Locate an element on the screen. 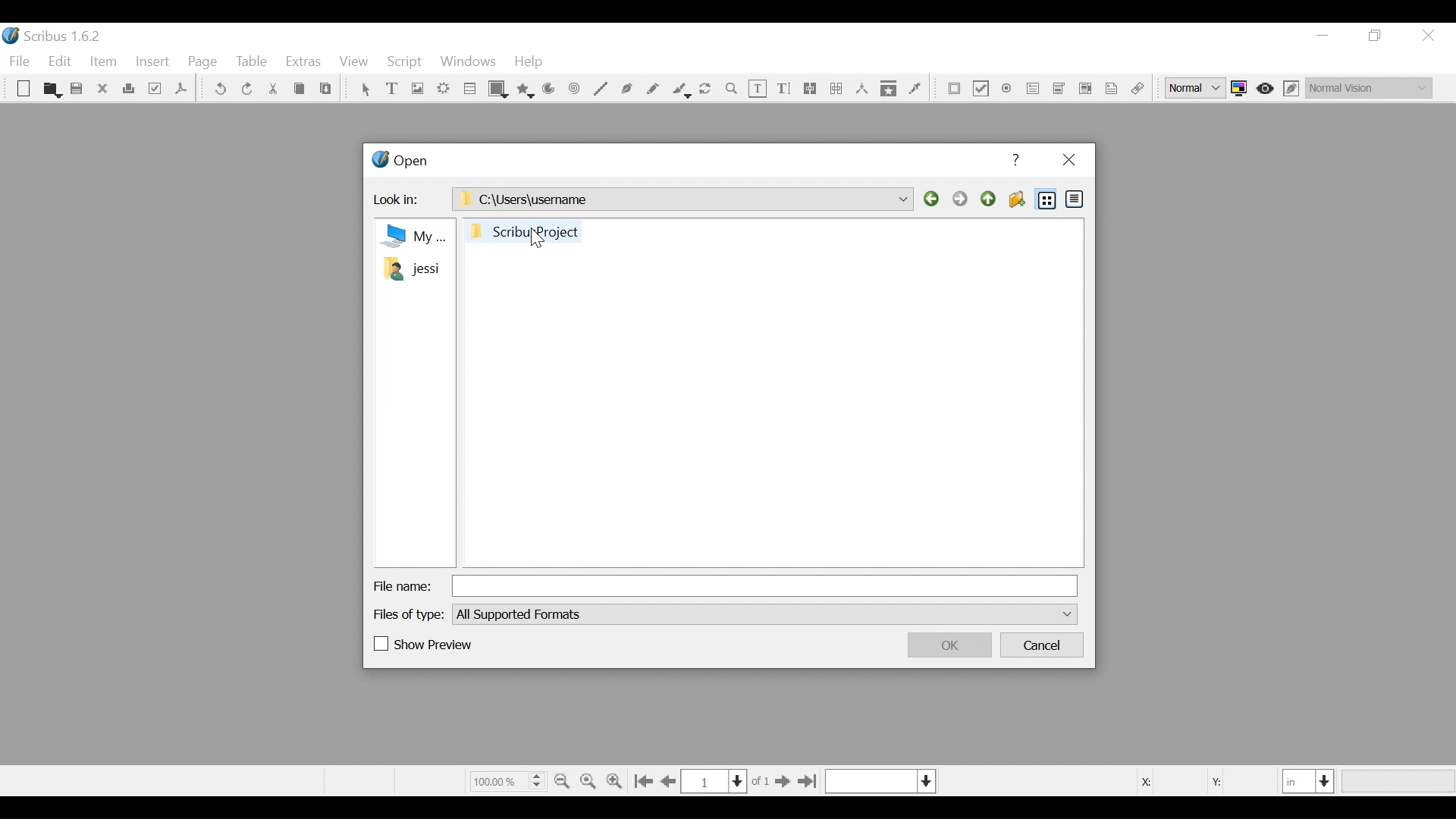 The height and width of the screenshot is (819, 1456). Link Annotations is located at coordinates (1135, 89).